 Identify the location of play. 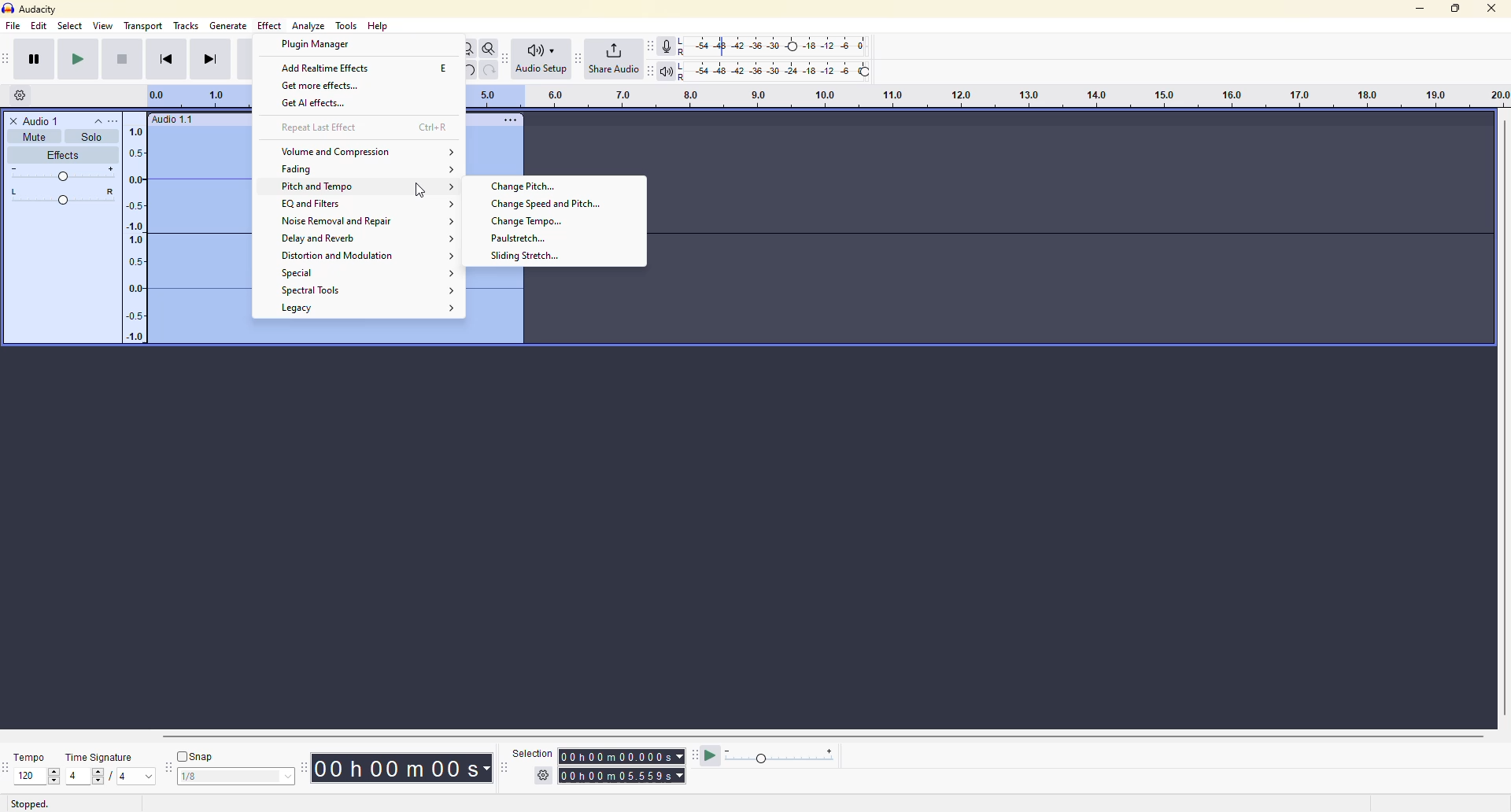
(78, 59).